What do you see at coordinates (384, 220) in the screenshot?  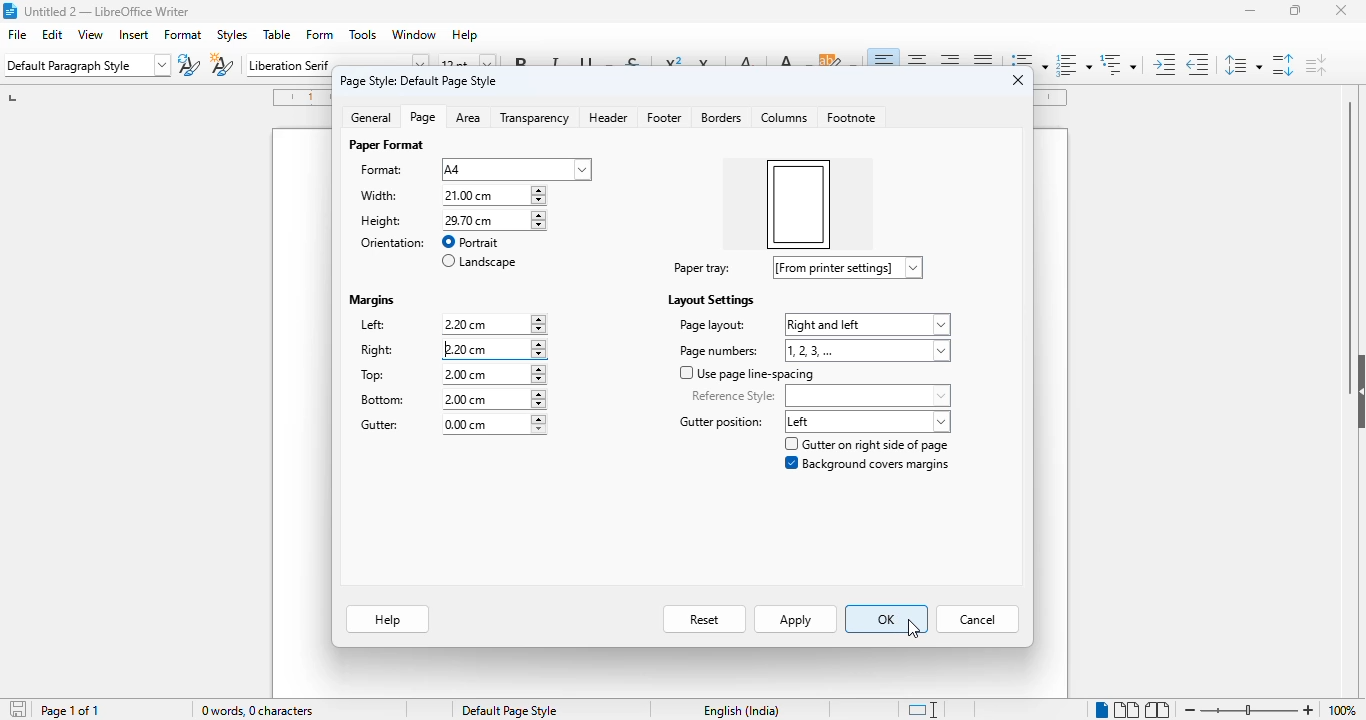 I see `height: 29.70 cm` at bounding box center [384, 220].